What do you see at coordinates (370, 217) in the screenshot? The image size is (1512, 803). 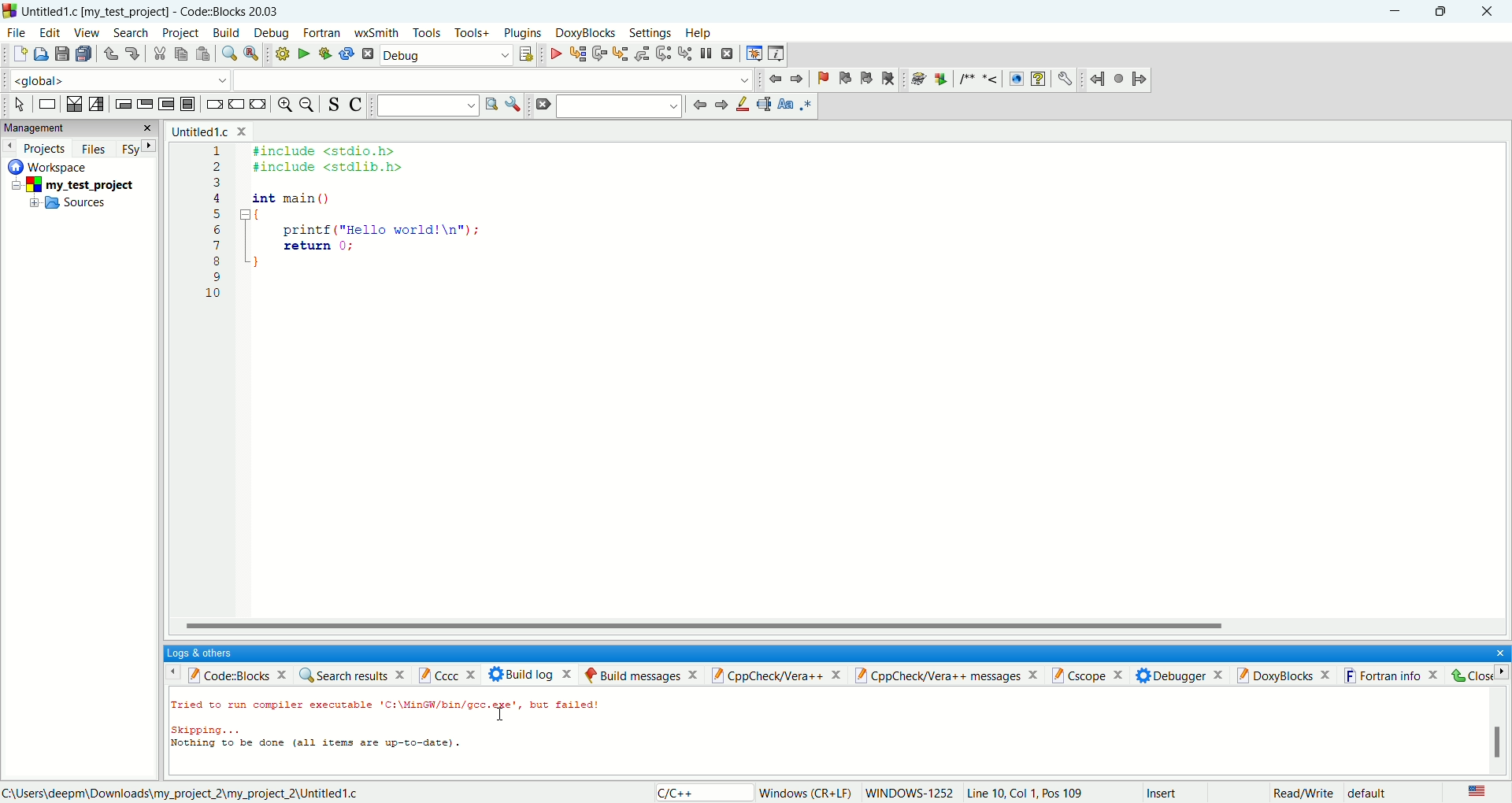 I see `code` at bounding box center [370, 217].